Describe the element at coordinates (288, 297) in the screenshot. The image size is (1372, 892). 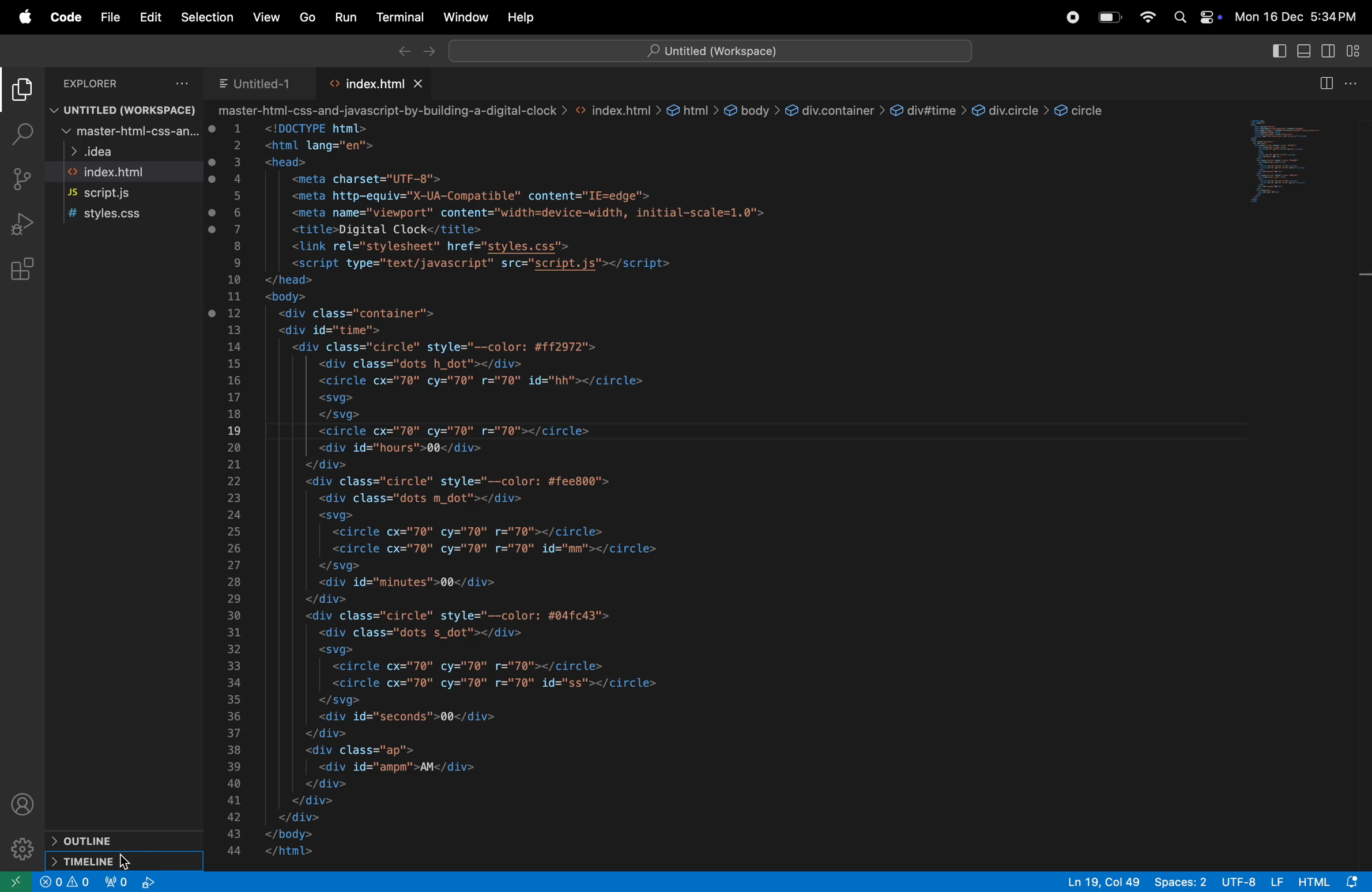
I see `<body>` at that location.